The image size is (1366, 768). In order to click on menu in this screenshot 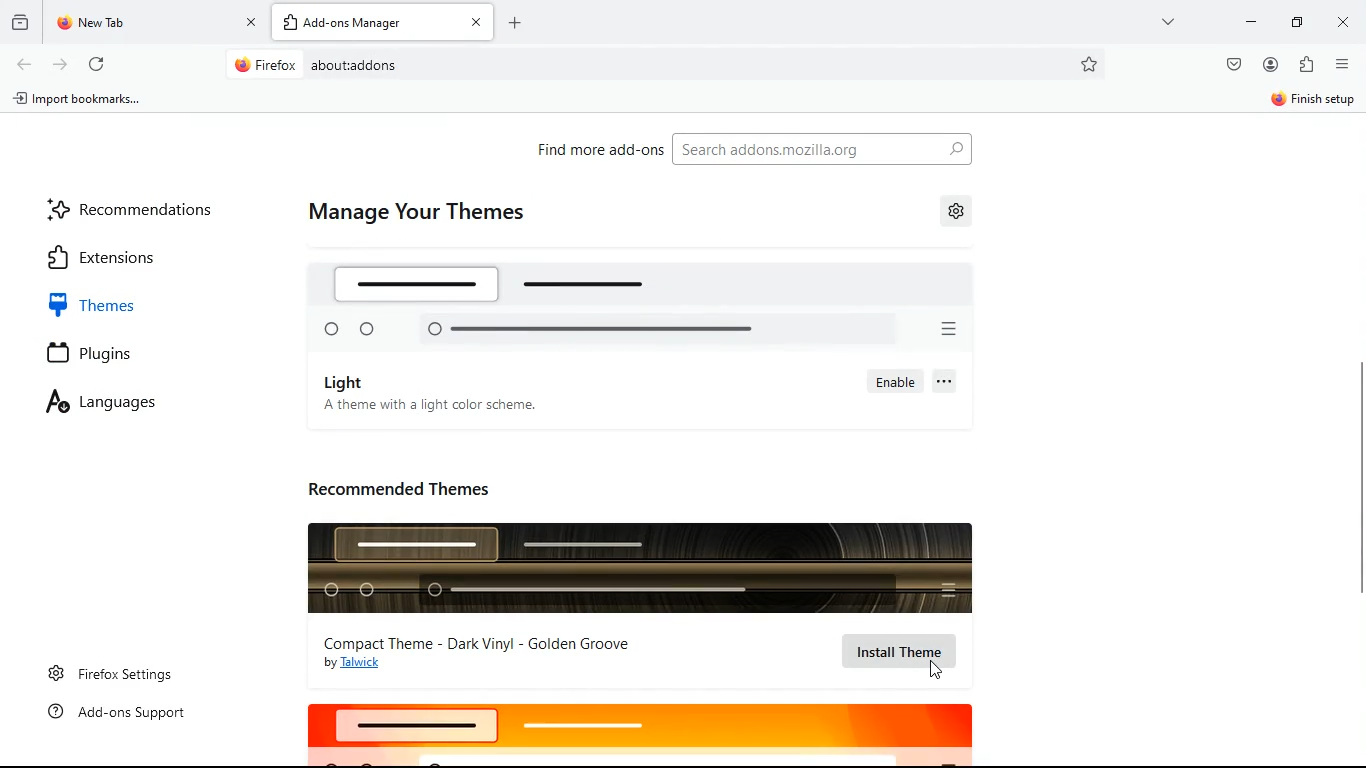, I will do `click(1342, 65)`.